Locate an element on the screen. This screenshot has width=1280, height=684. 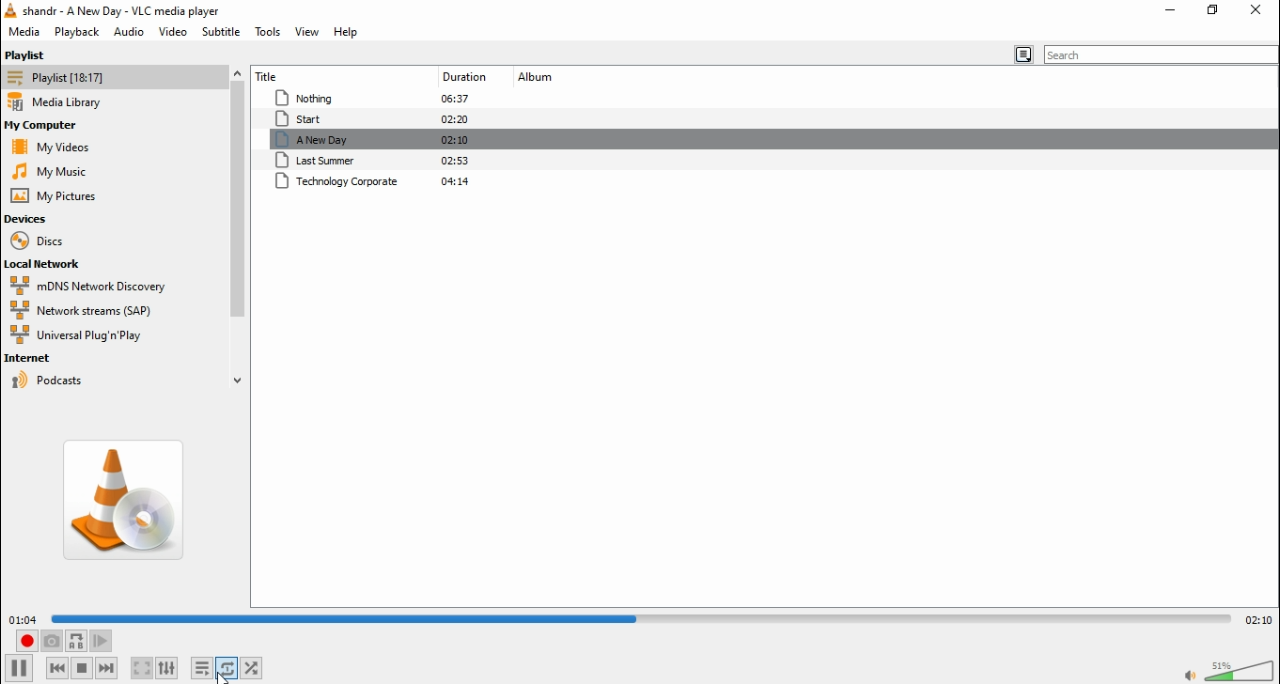
my computer is located at coordinates (45, 125).